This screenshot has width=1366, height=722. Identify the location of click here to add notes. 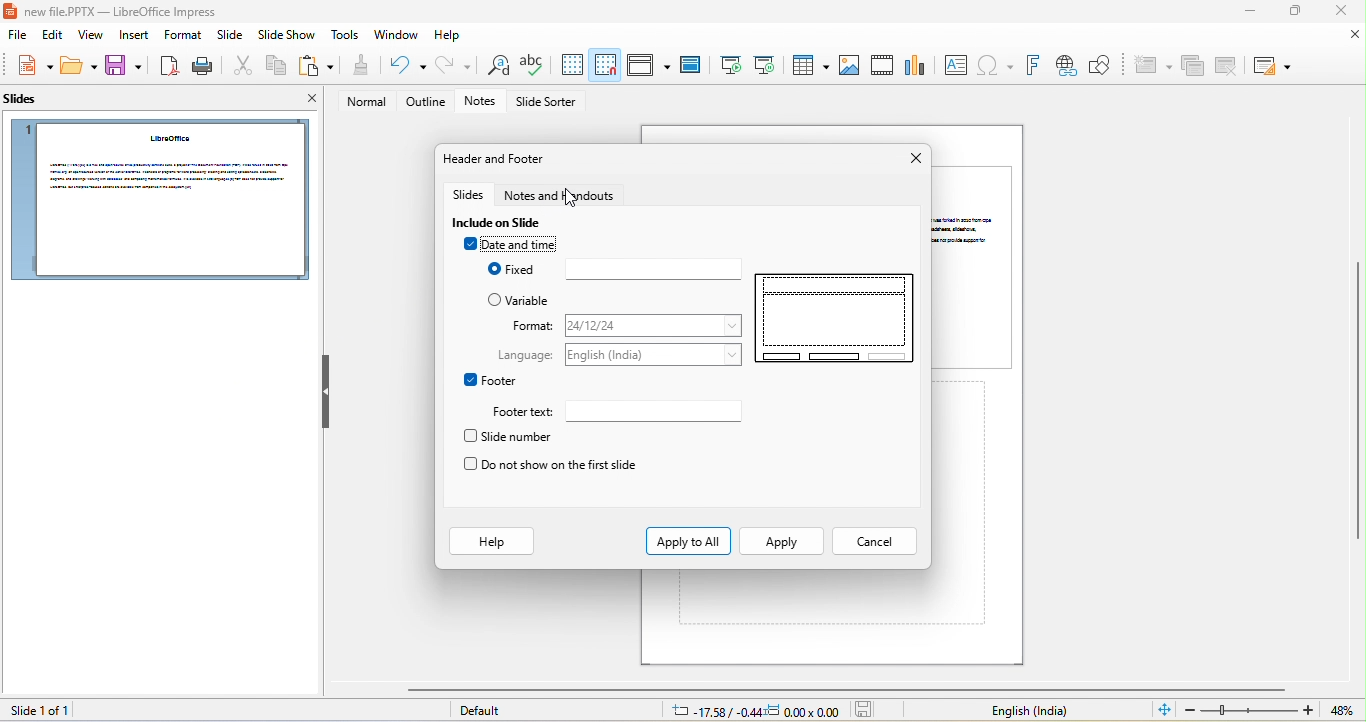
(962, 504).